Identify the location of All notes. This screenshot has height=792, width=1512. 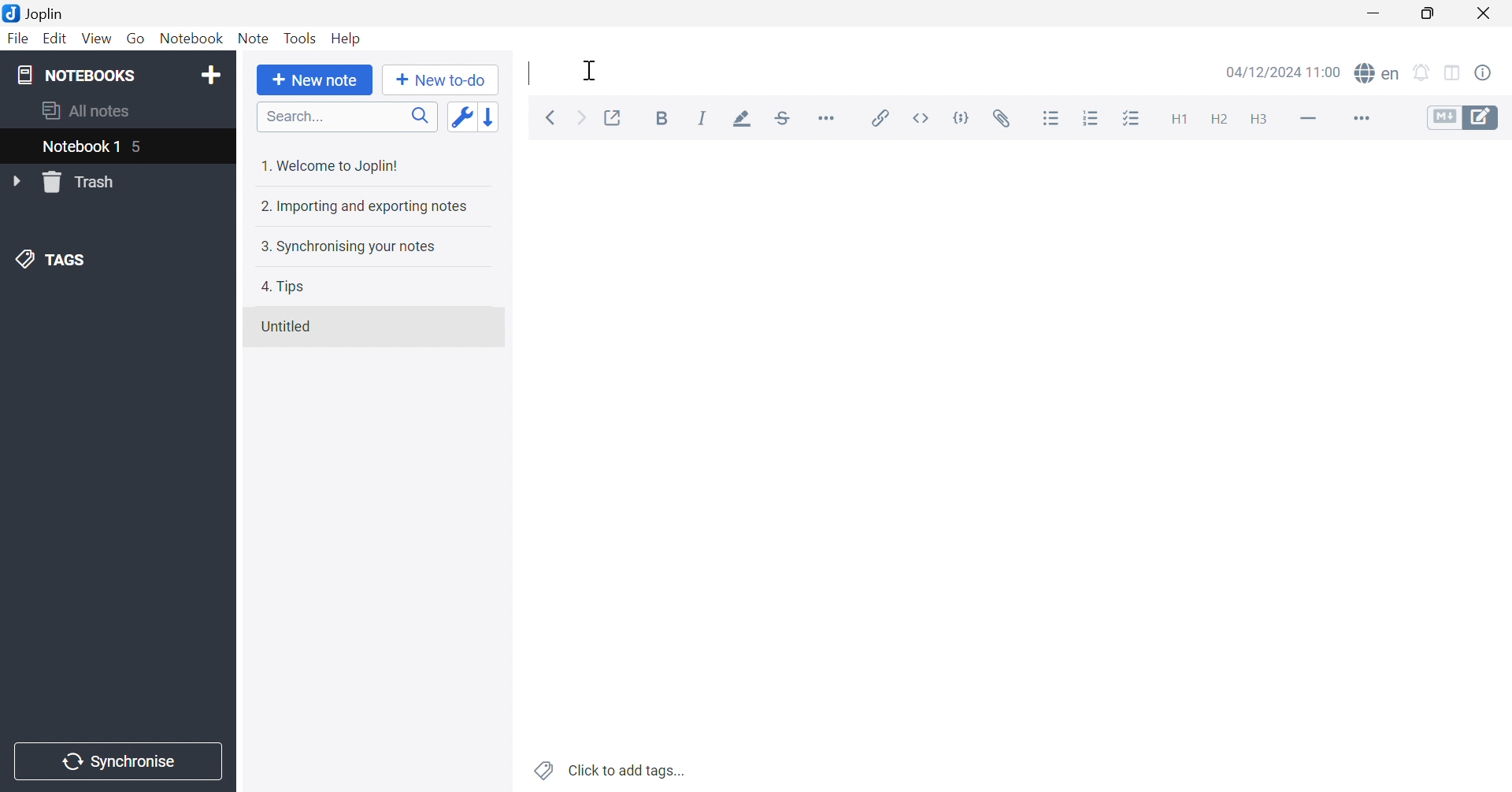
(83, 110).